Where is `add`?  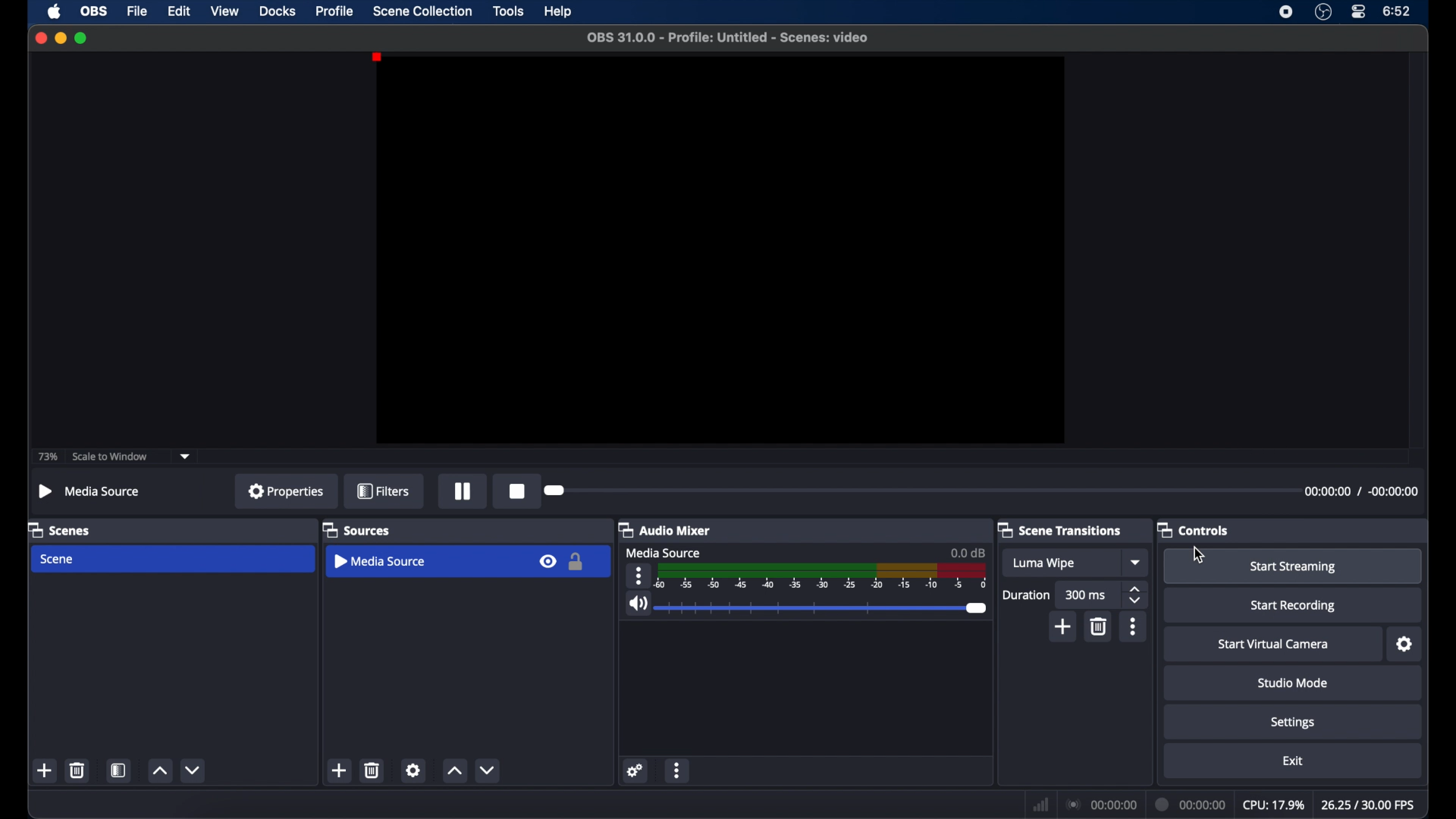 add is located at coordinates (1064, 627).